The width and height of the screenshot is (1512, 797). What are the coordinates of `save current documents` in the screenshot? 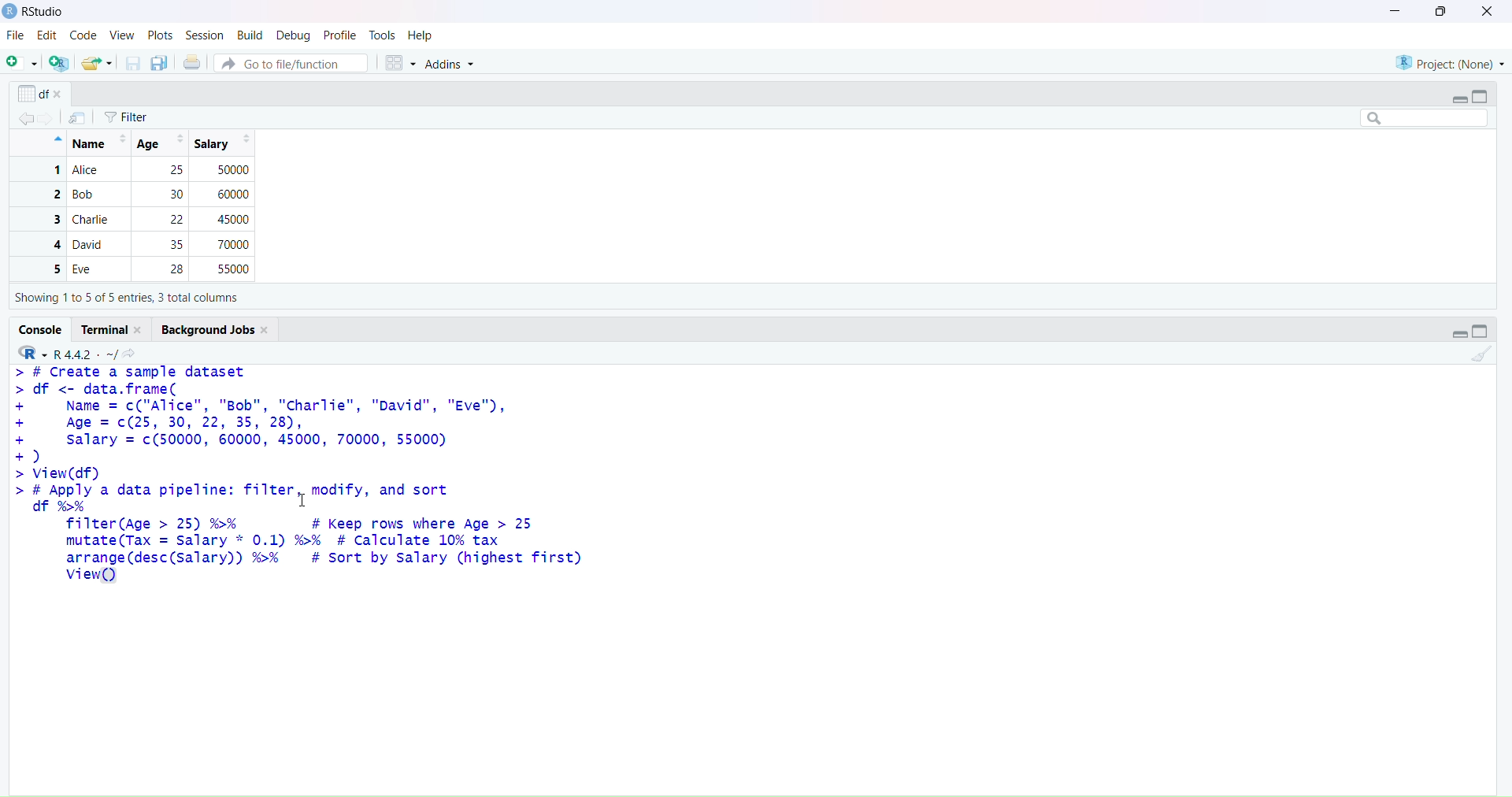 It's located at (134, 64).